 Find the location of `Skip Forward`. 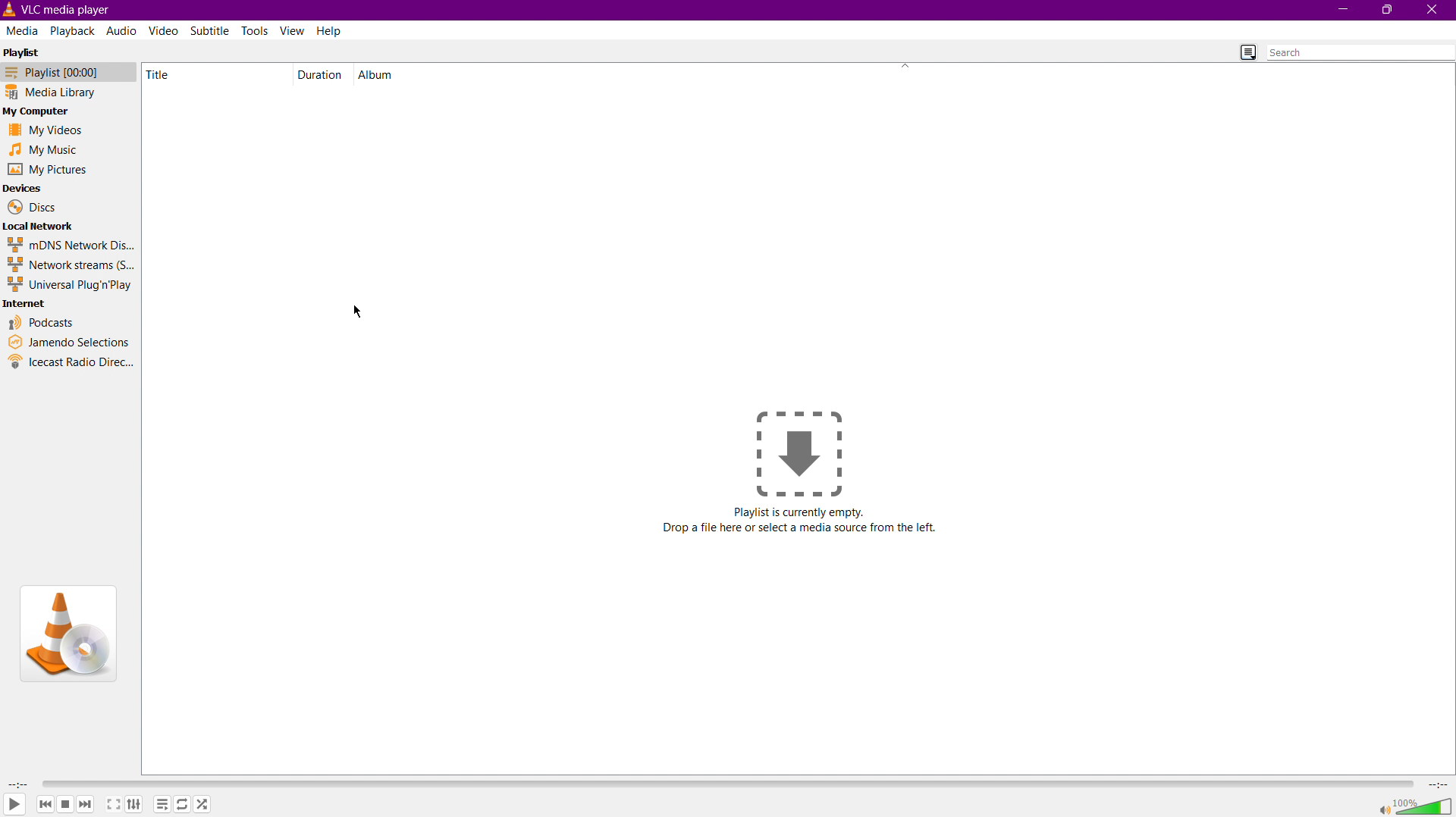

Skip Forward is located at coordinates (86, 805).